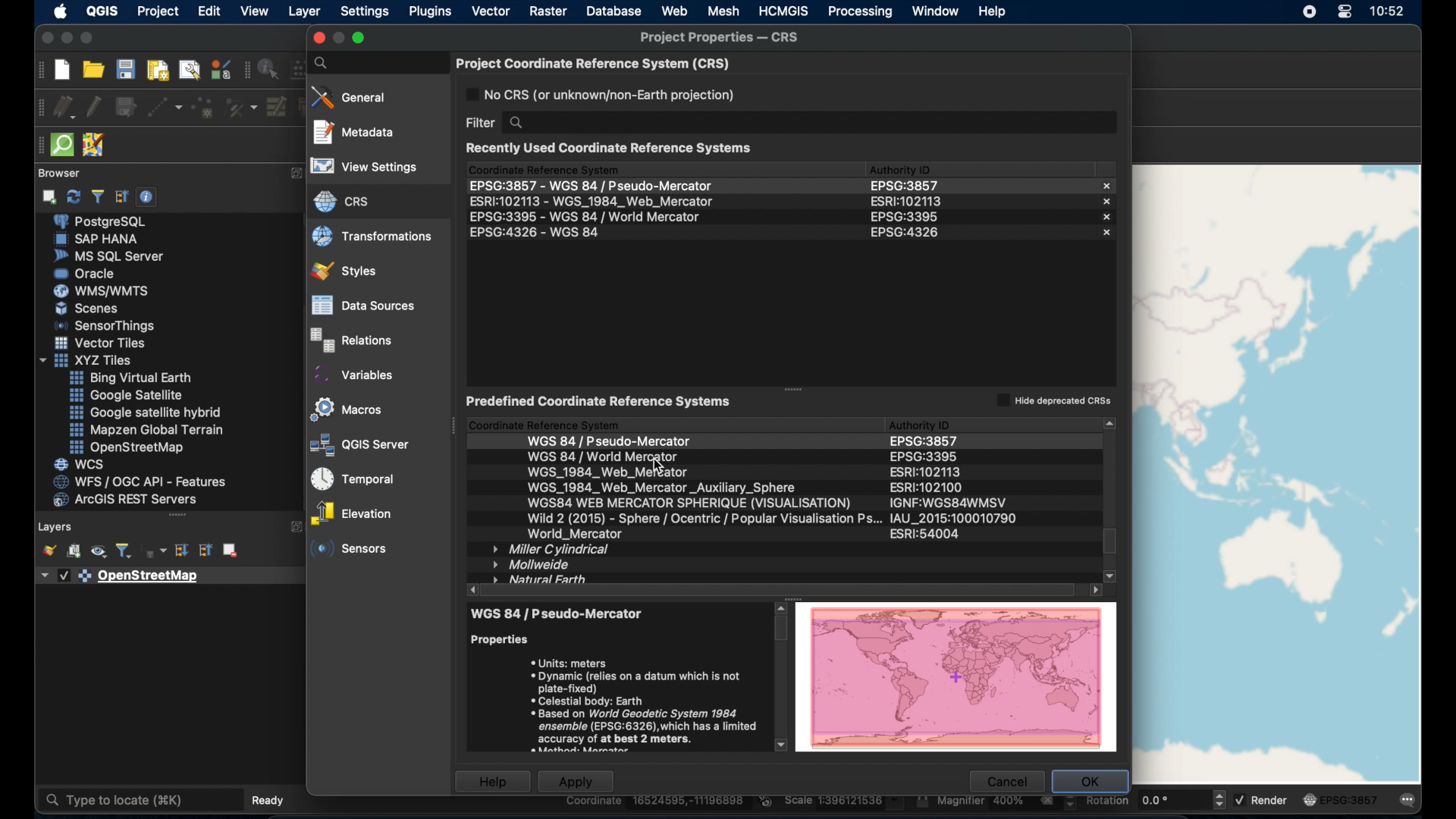 This screenshot has height=819, width=1456. Describe the element at coordinates (140, 799) in the screenshot. I see `type to locate` at that location.